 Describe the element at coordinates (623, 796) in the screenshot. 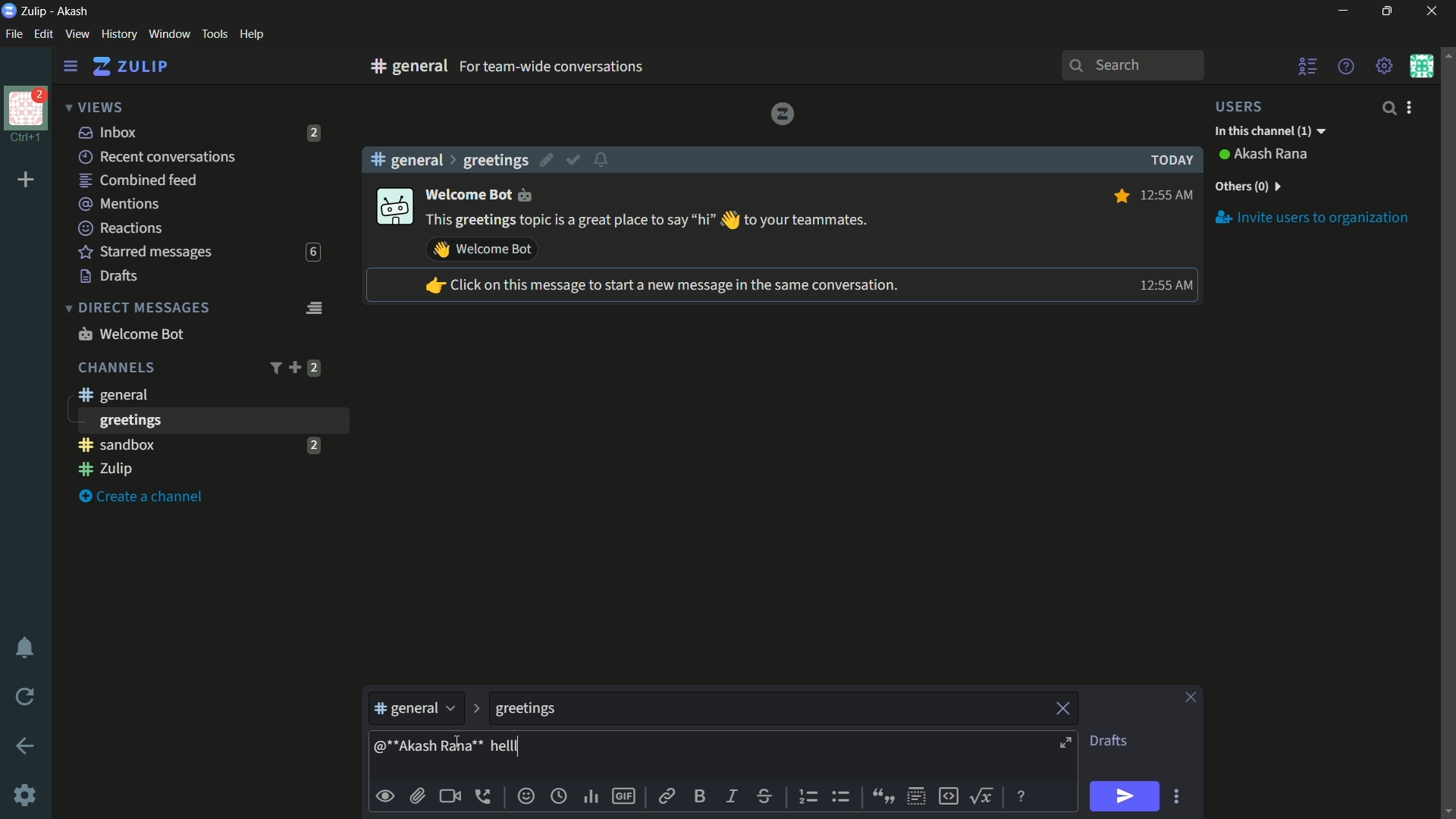

I see `add gif` at that location.